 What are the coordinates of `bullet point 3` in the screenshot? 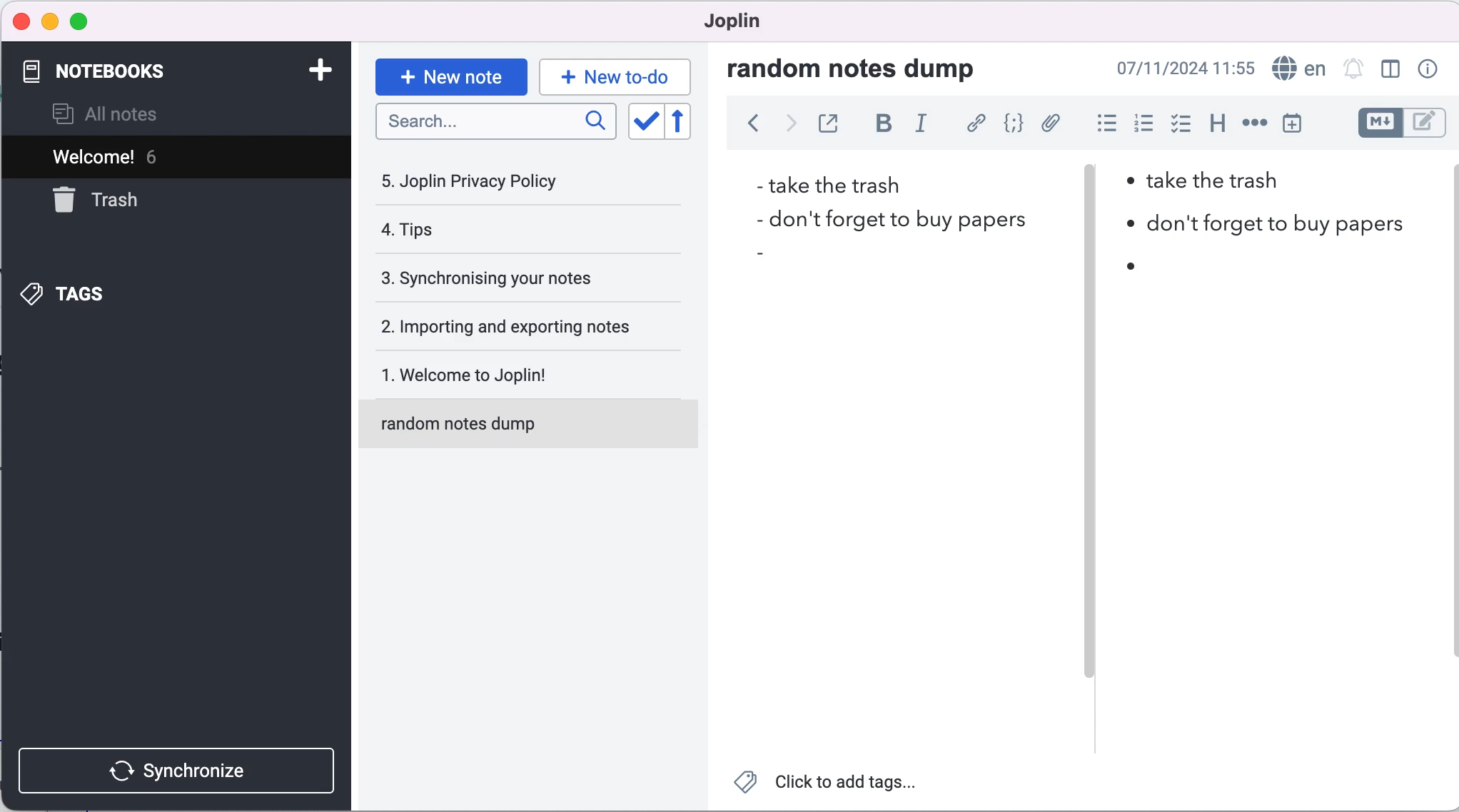 It's located at (1139, 266).